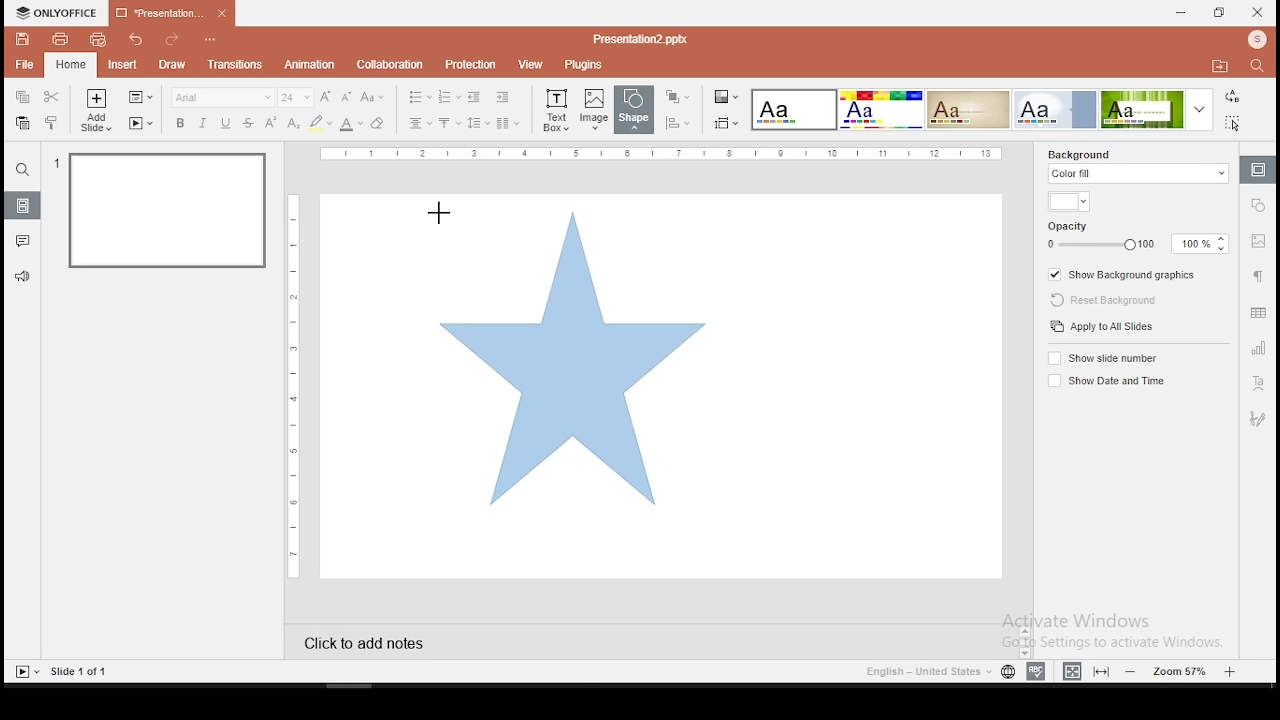 Image resolution: width=1280 pixels, height=720 pixels. What do you see at coordinates (81, 671) in the screenshot?
I see `slide 1 of 1` at bounding box center [81, 671].